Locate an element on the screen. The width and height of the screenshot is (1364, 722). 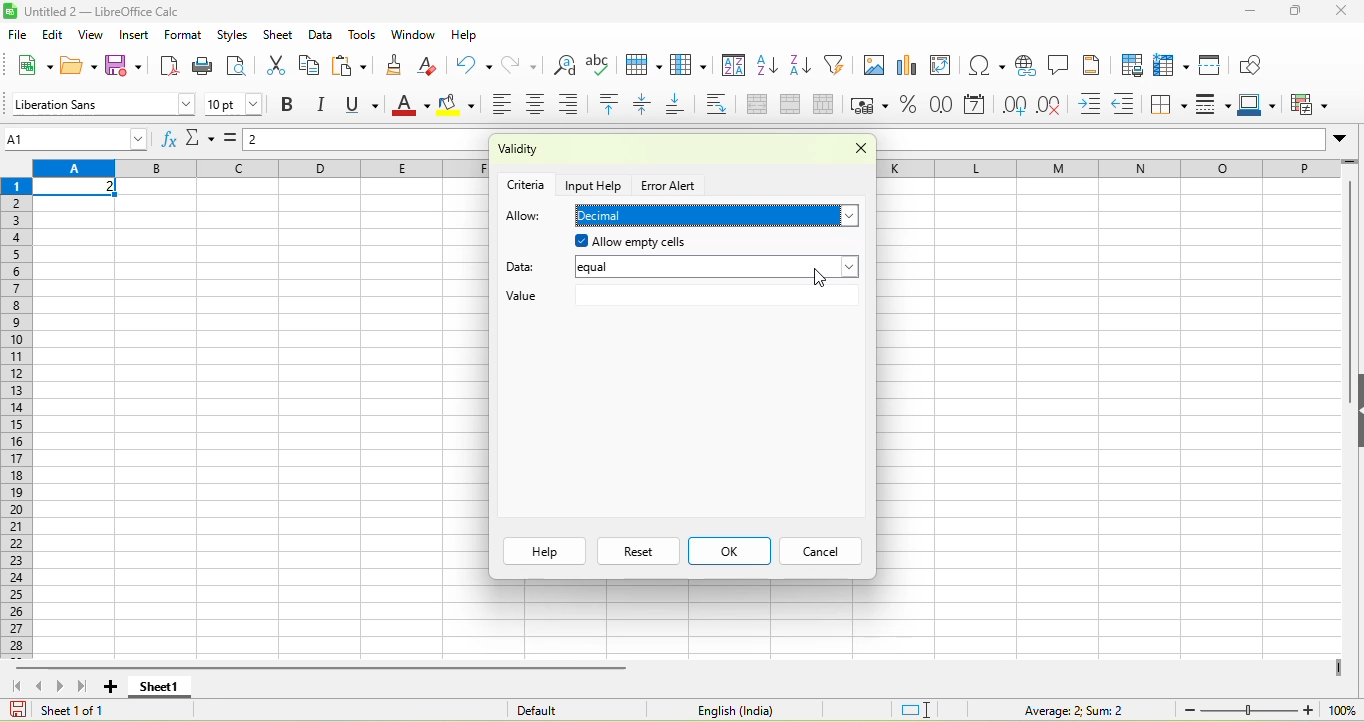
close is located at coordinates (1344, 10).